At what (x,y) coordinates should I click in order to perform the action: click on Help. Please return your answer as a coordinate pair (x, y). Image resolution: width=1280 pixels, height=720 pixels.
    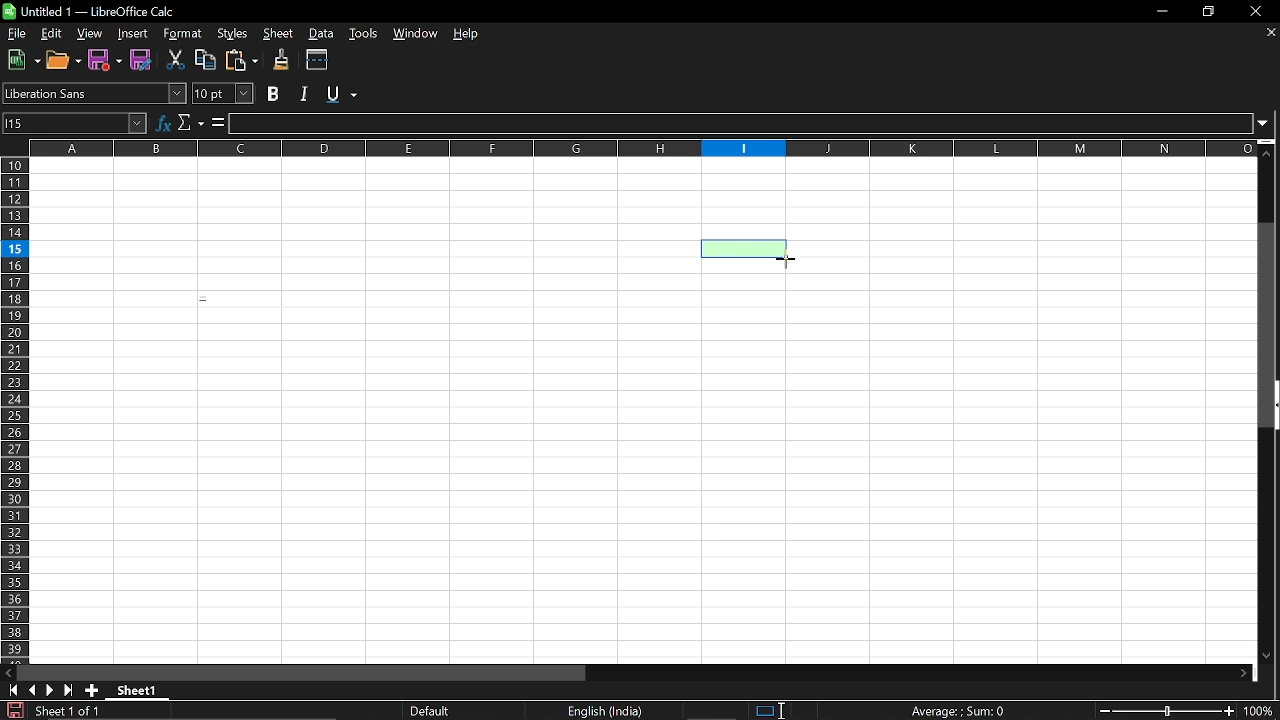
    Looking at the image, I should click on (467, 36).